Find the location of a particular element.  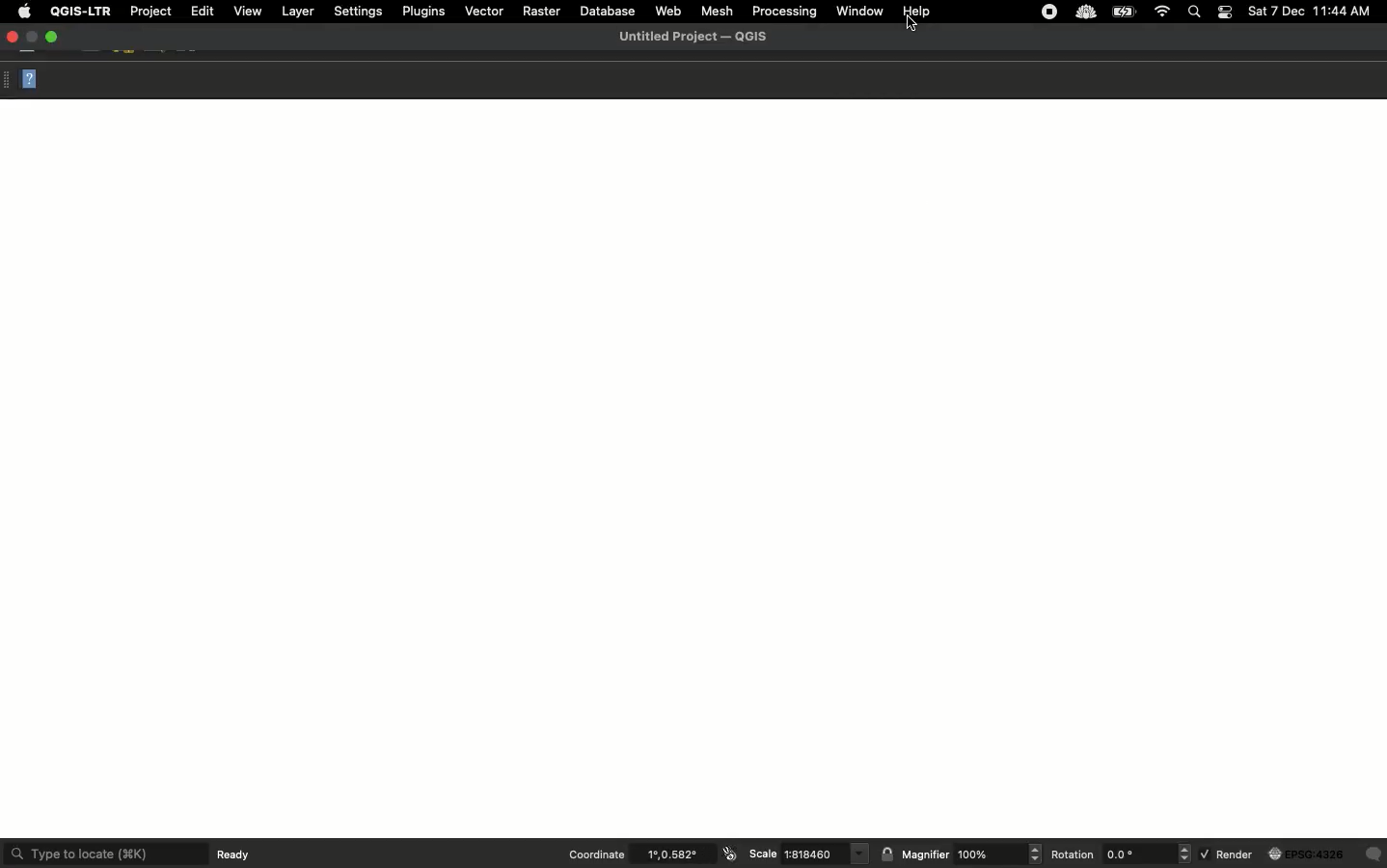

Maximize is located at coordinates (52, 36).